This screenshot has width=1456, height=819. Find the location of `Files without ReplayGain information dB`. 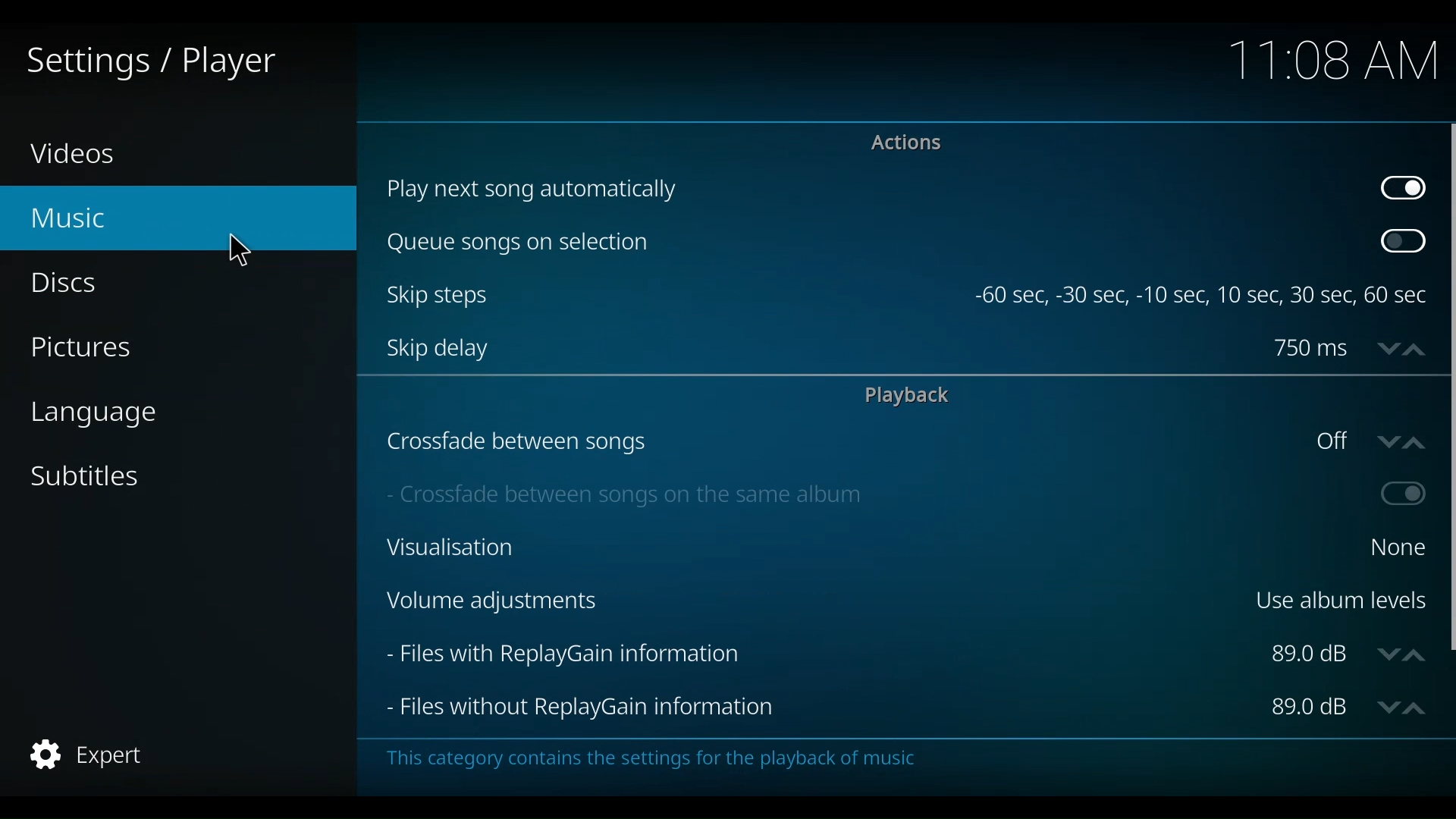

Files without ReplayGain information dB is located at coordinates (1310, 708).